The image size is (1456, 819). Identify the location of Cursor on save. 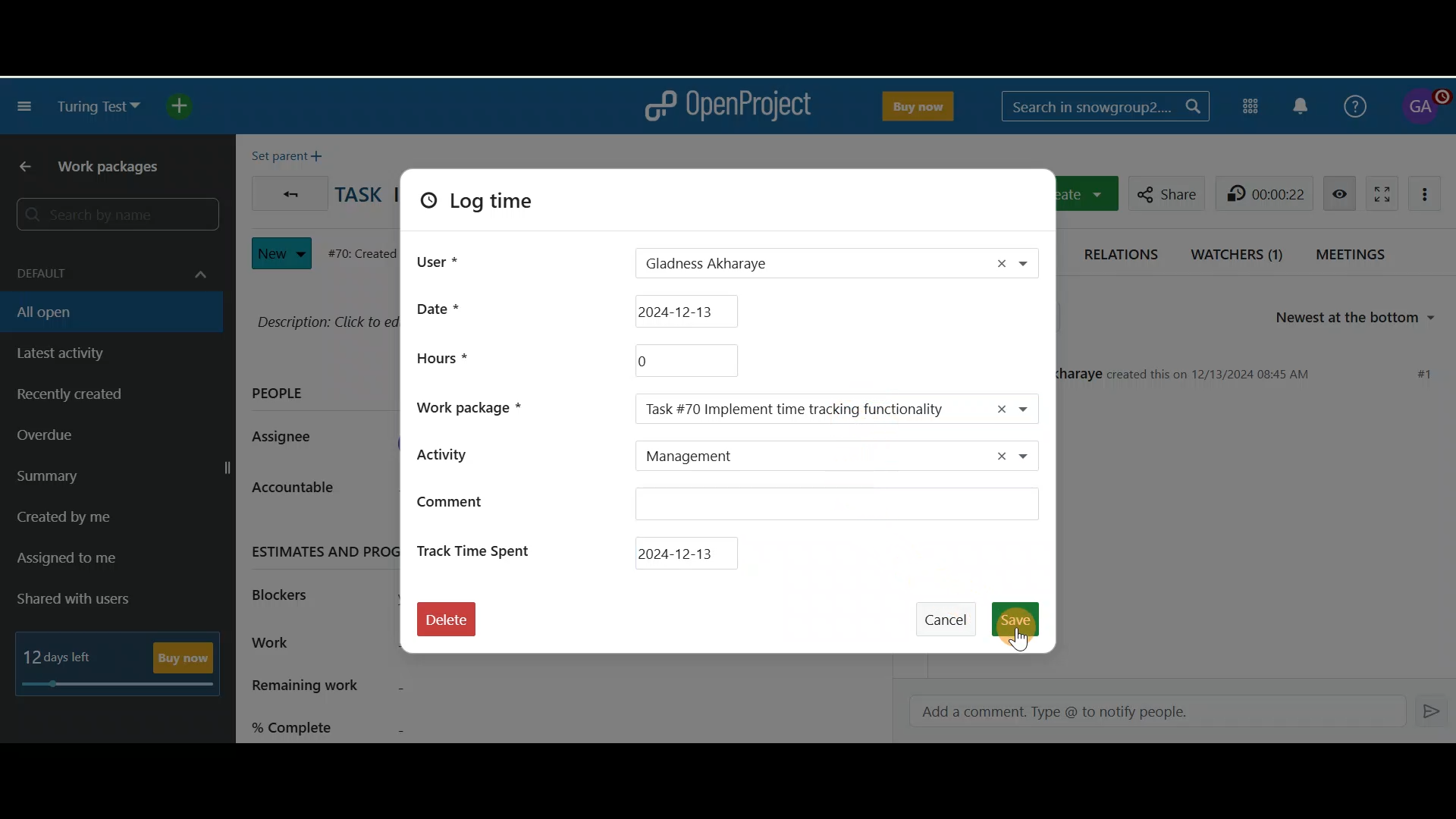
(1021, 626).